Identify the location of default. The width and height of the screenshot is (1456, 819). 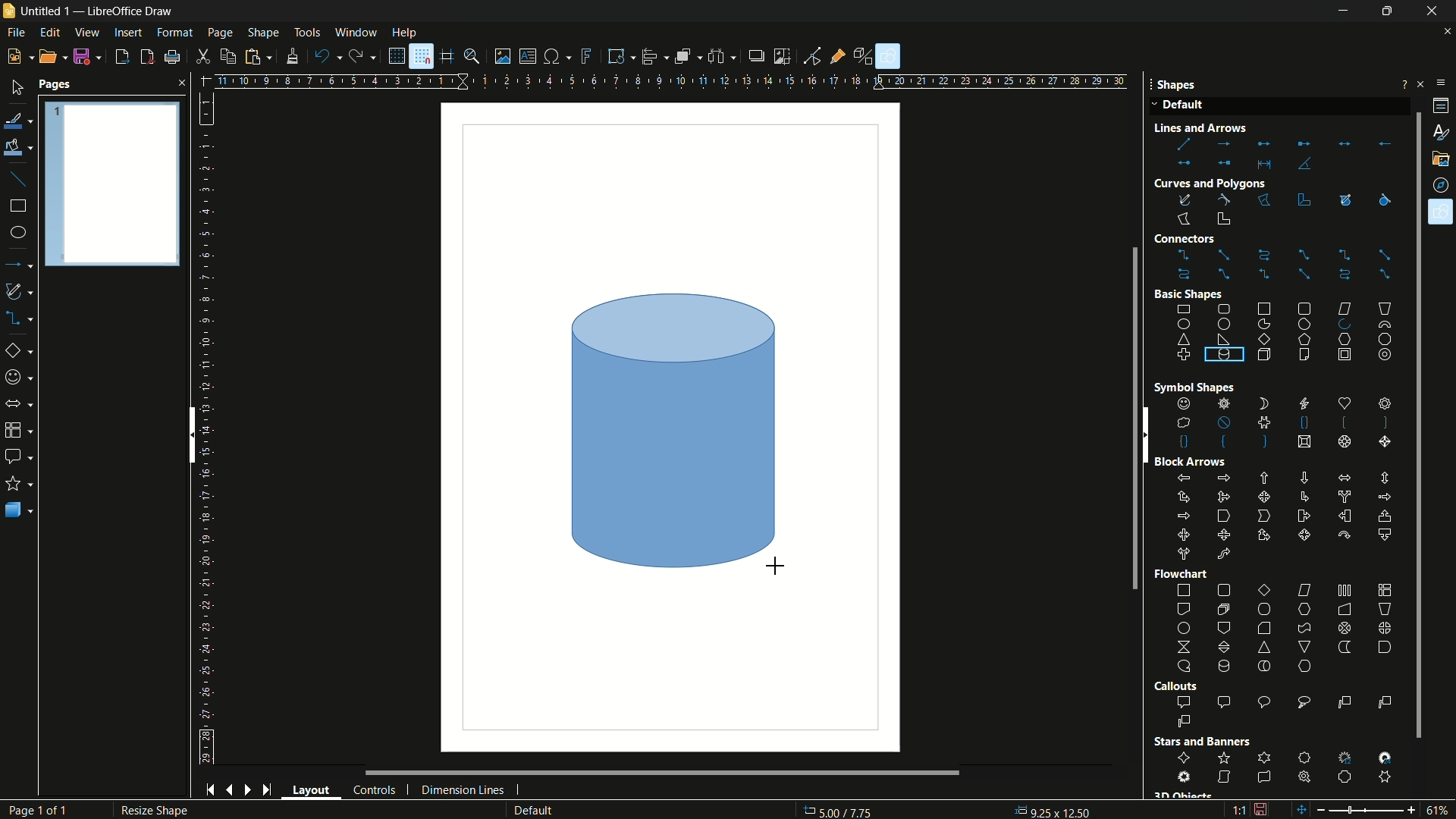
(554, 810).